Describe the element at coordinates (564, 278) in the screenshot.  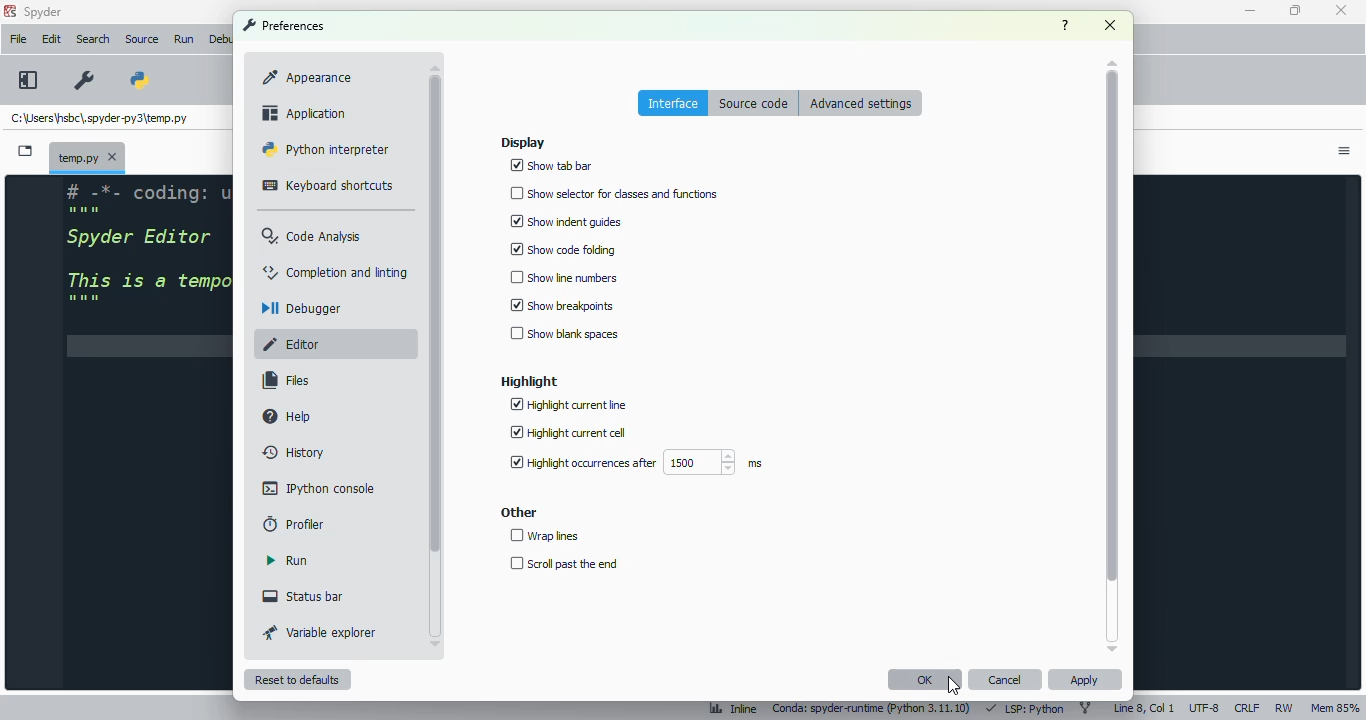
I see `show line numbers` at that location.